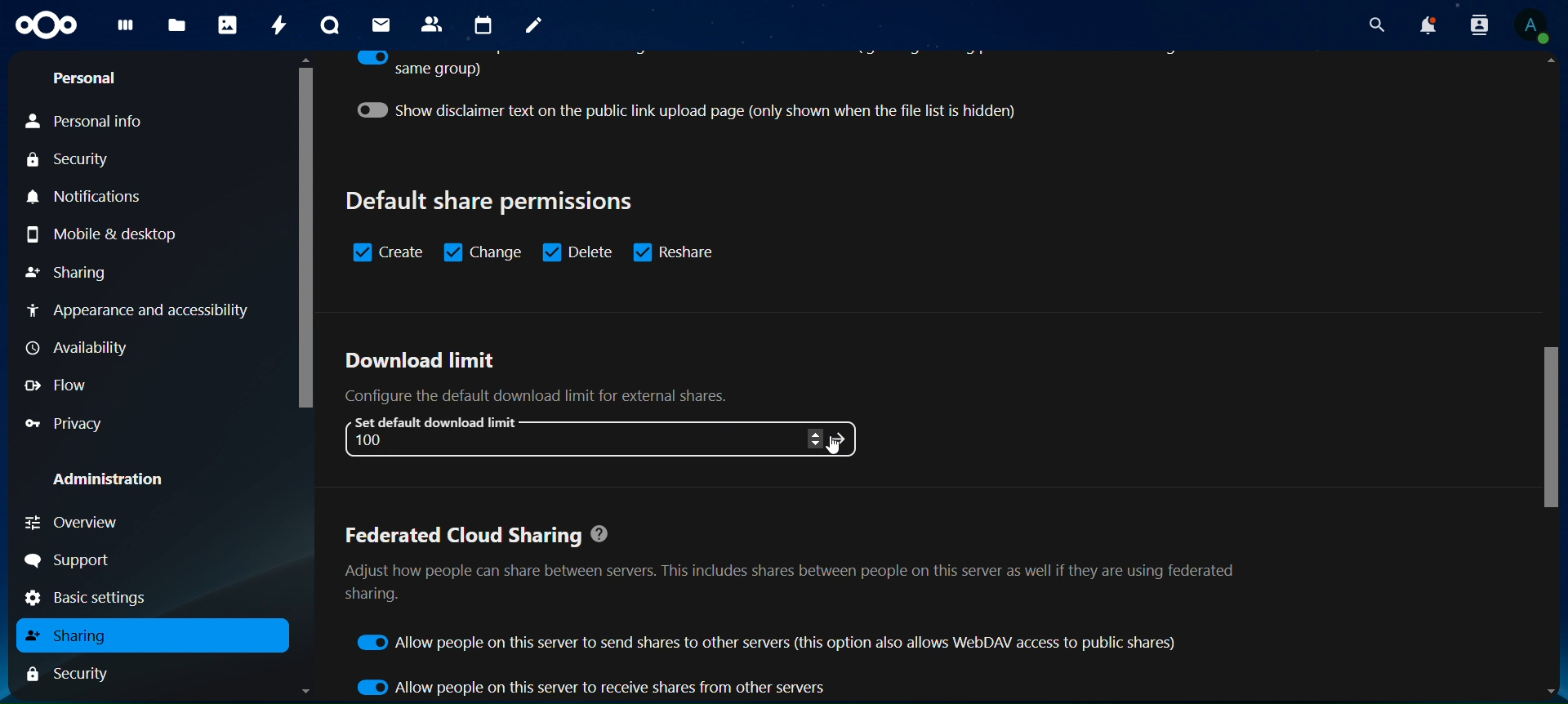 Image resolution: width=1568 pixels, height=704 pixels. I want to click on Scrollbar, so click(1552, 377).